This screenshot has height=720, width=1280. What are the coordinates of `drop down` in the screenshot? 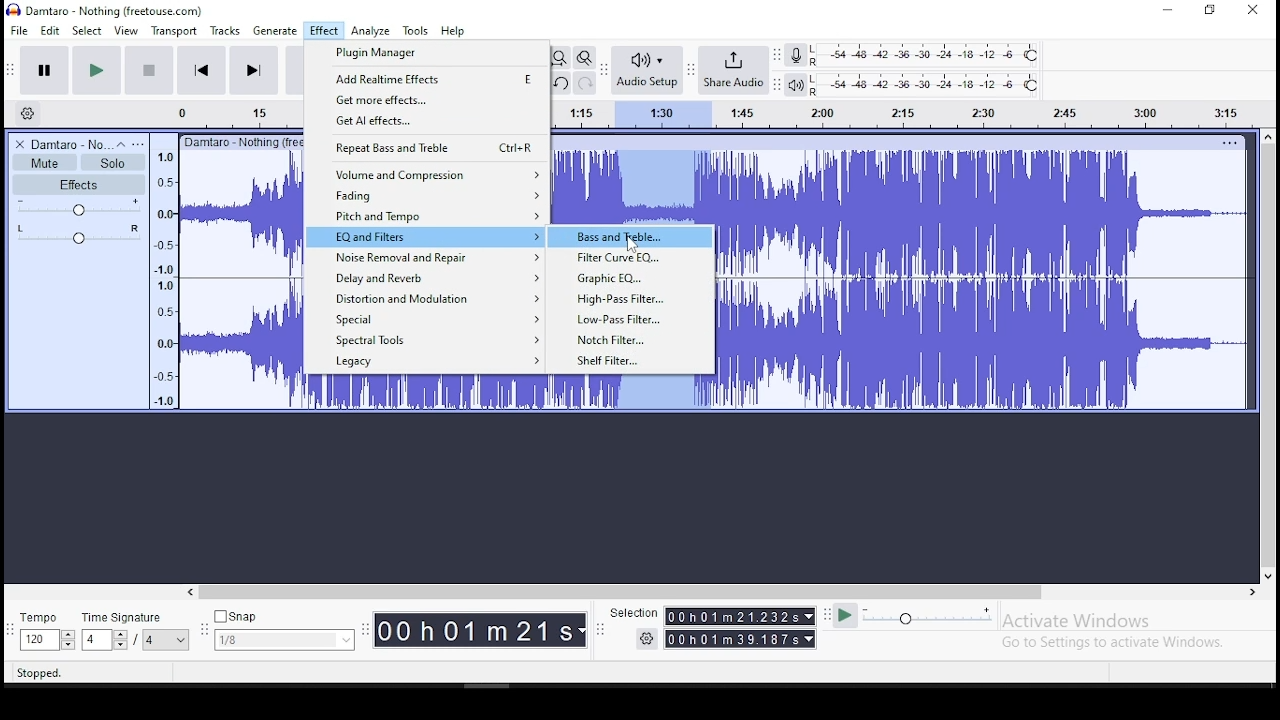 It's located at (119, 640).